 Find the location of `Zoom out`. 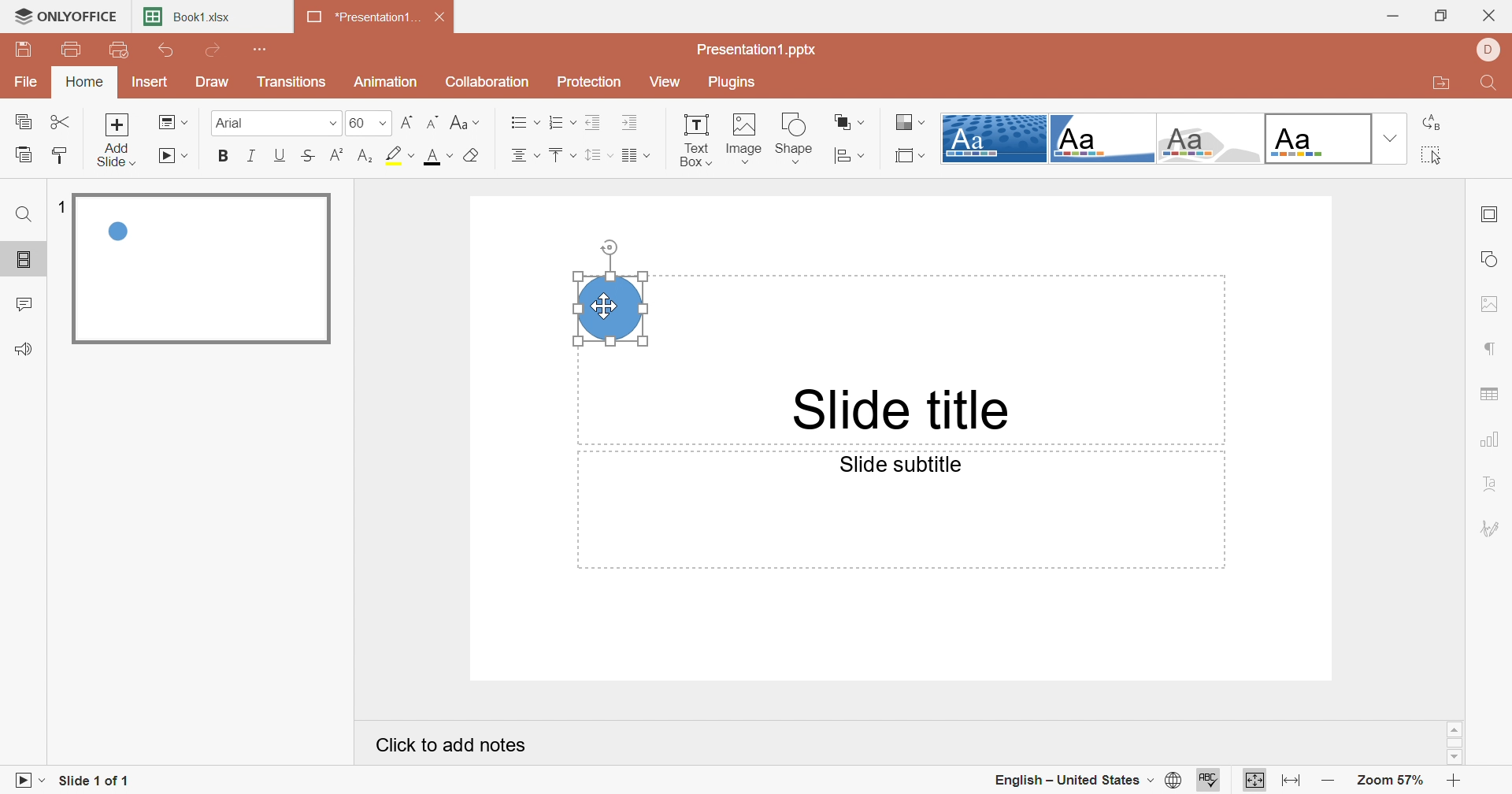

Zoom out is located at coordinates (1330, 784).